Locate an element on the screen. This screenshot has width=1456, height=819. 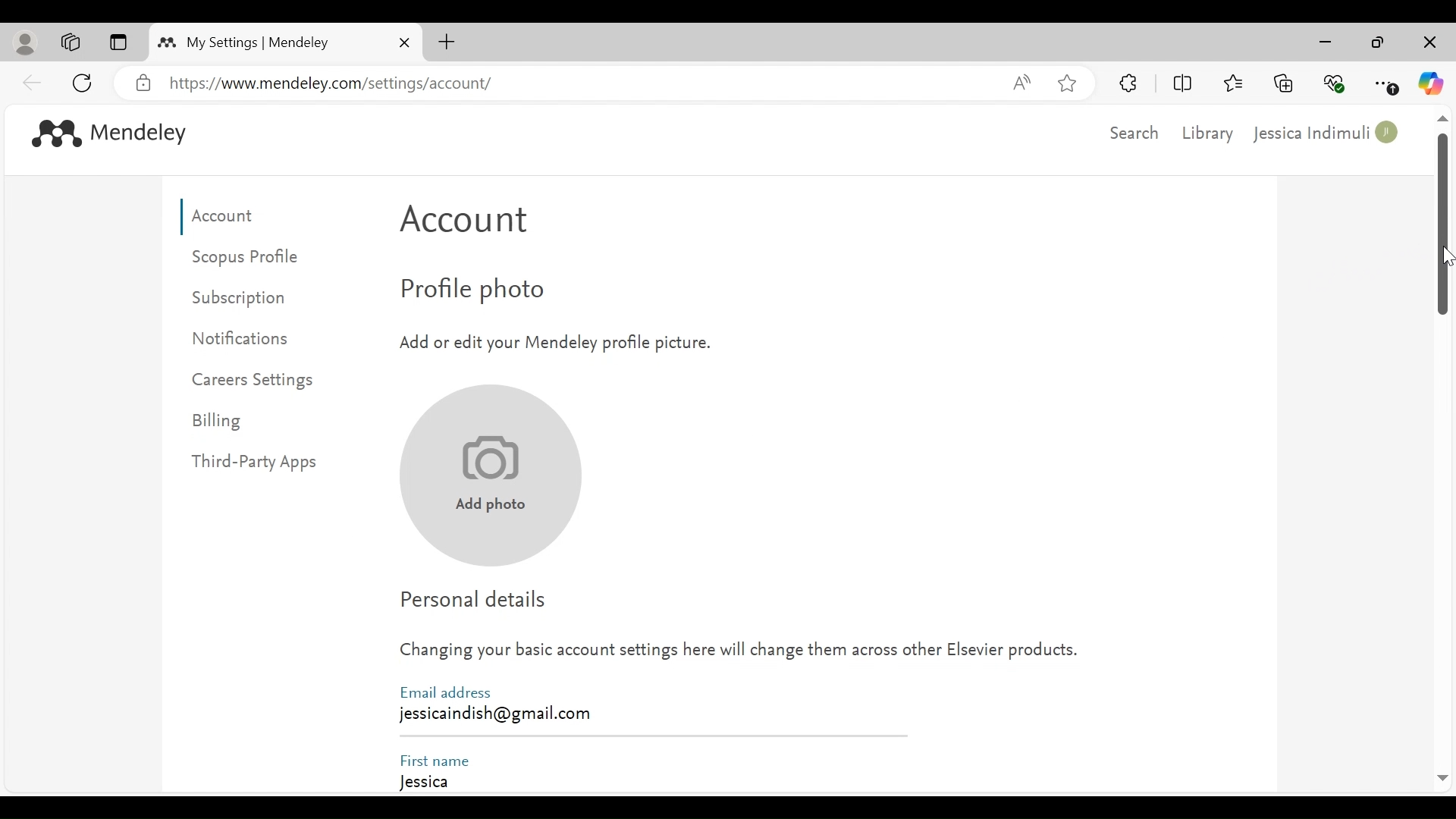
Third Party Apps is located at coordinates (266, 463).